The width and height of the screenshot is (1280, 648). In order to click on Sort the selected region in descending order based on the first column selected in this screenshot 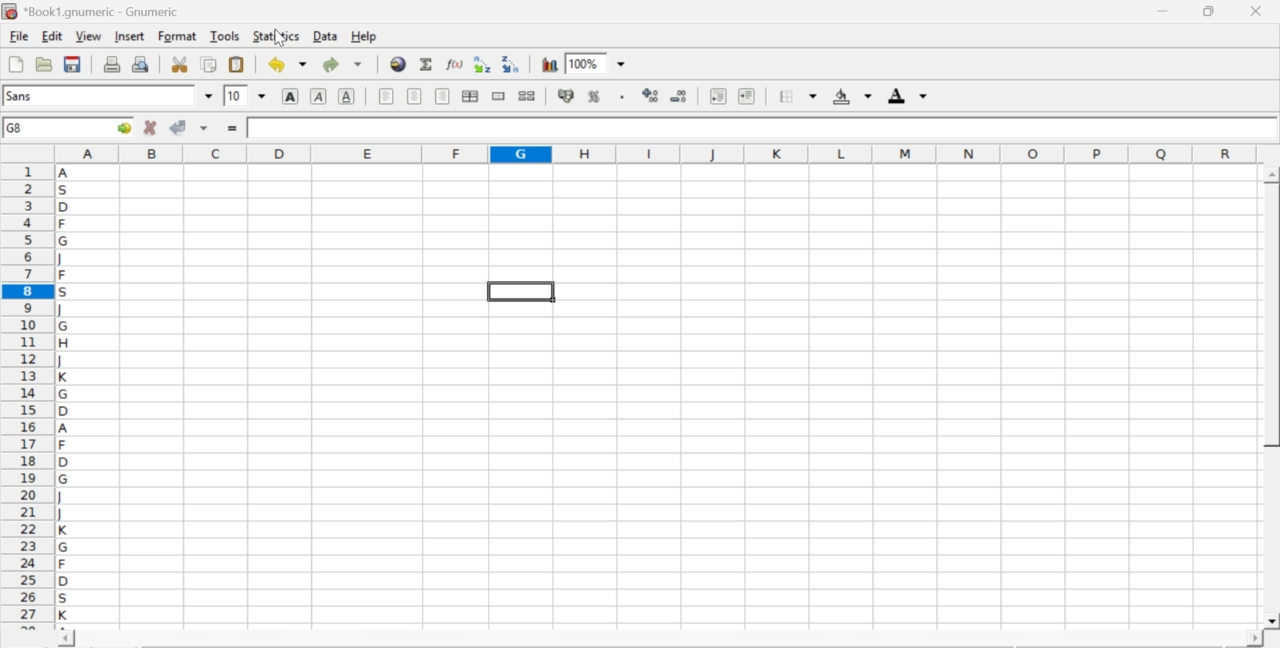, I will do `click(512, 62)`.